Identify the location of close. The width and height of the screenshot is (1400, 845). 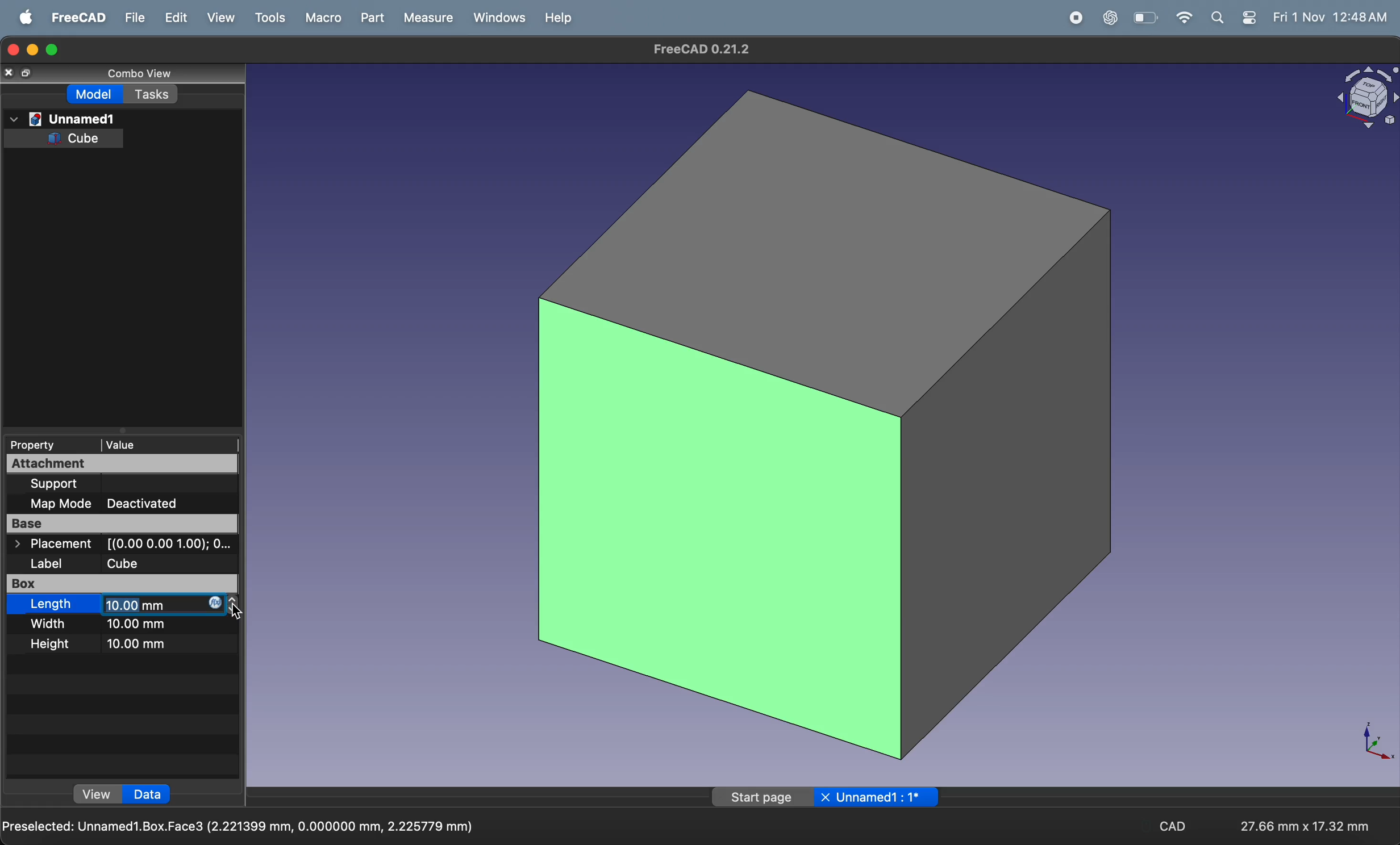
(827, 797).